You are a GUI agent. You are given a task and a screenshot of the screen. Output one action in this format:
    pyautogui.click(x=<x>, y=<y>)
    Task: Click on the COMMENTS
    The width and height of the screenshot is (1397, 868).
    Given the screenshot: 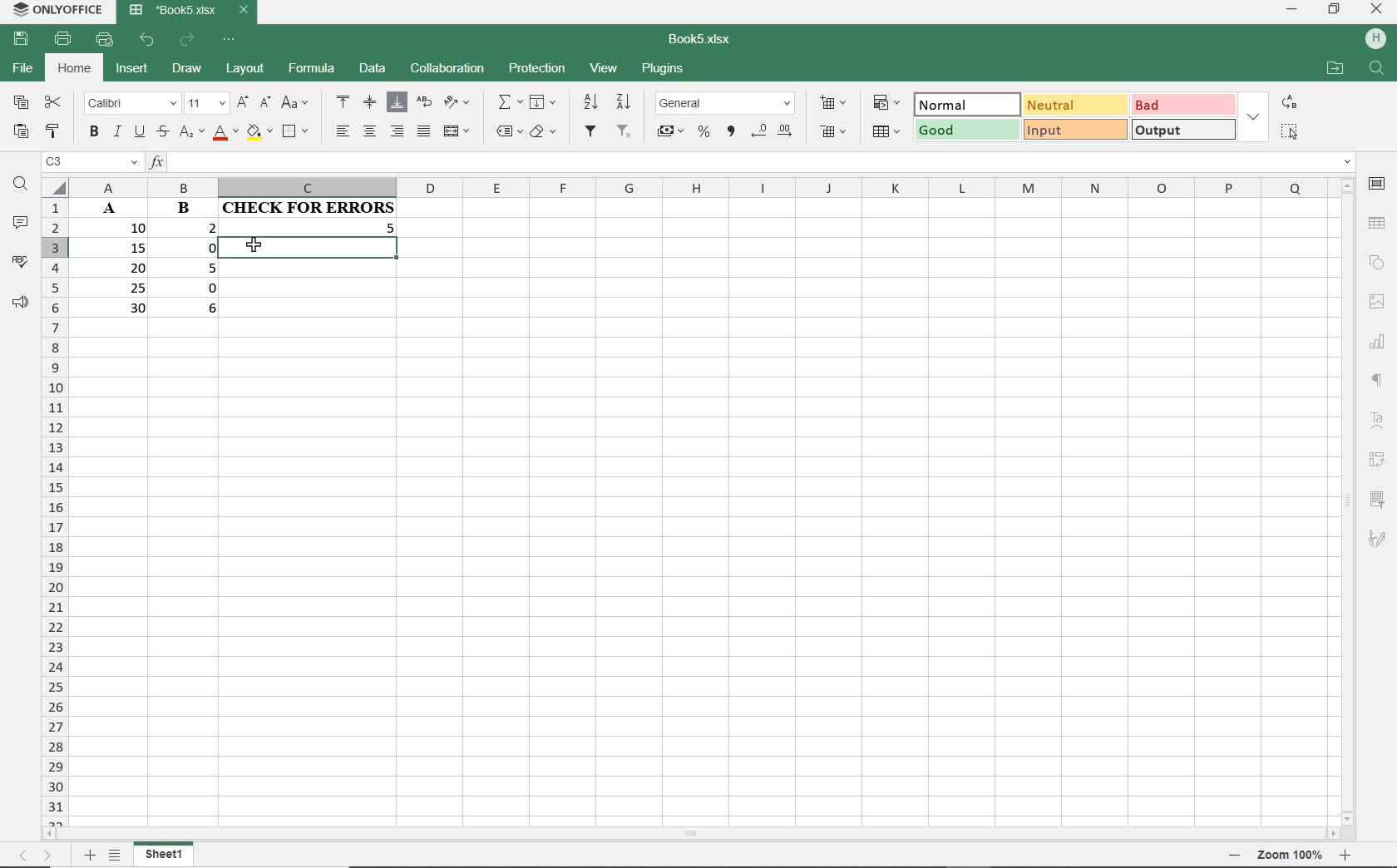 What is the action you would take?
    pyautogui.click(x=19, y=223)
    